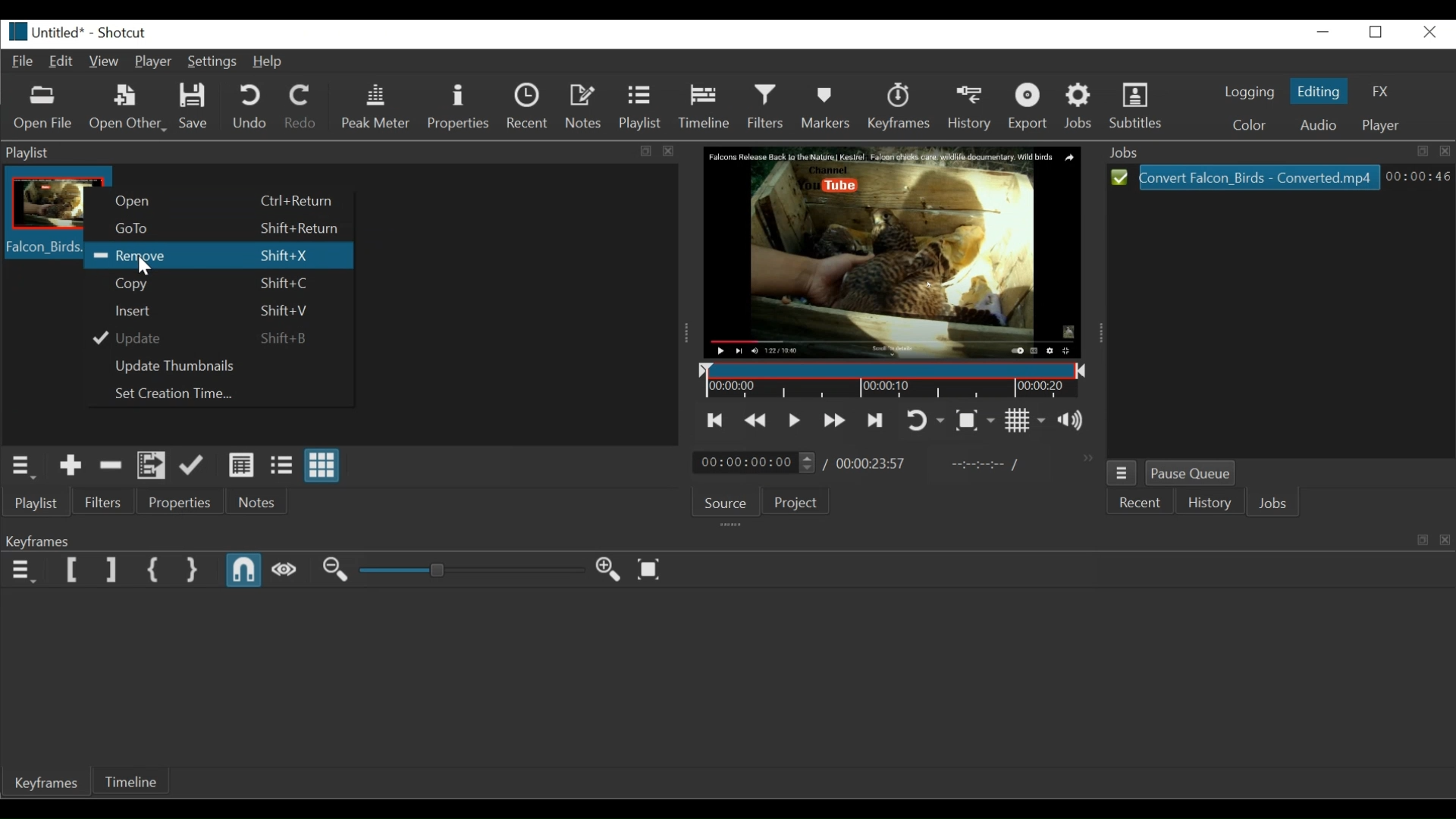  I want to click on Source, so click(729, 503).